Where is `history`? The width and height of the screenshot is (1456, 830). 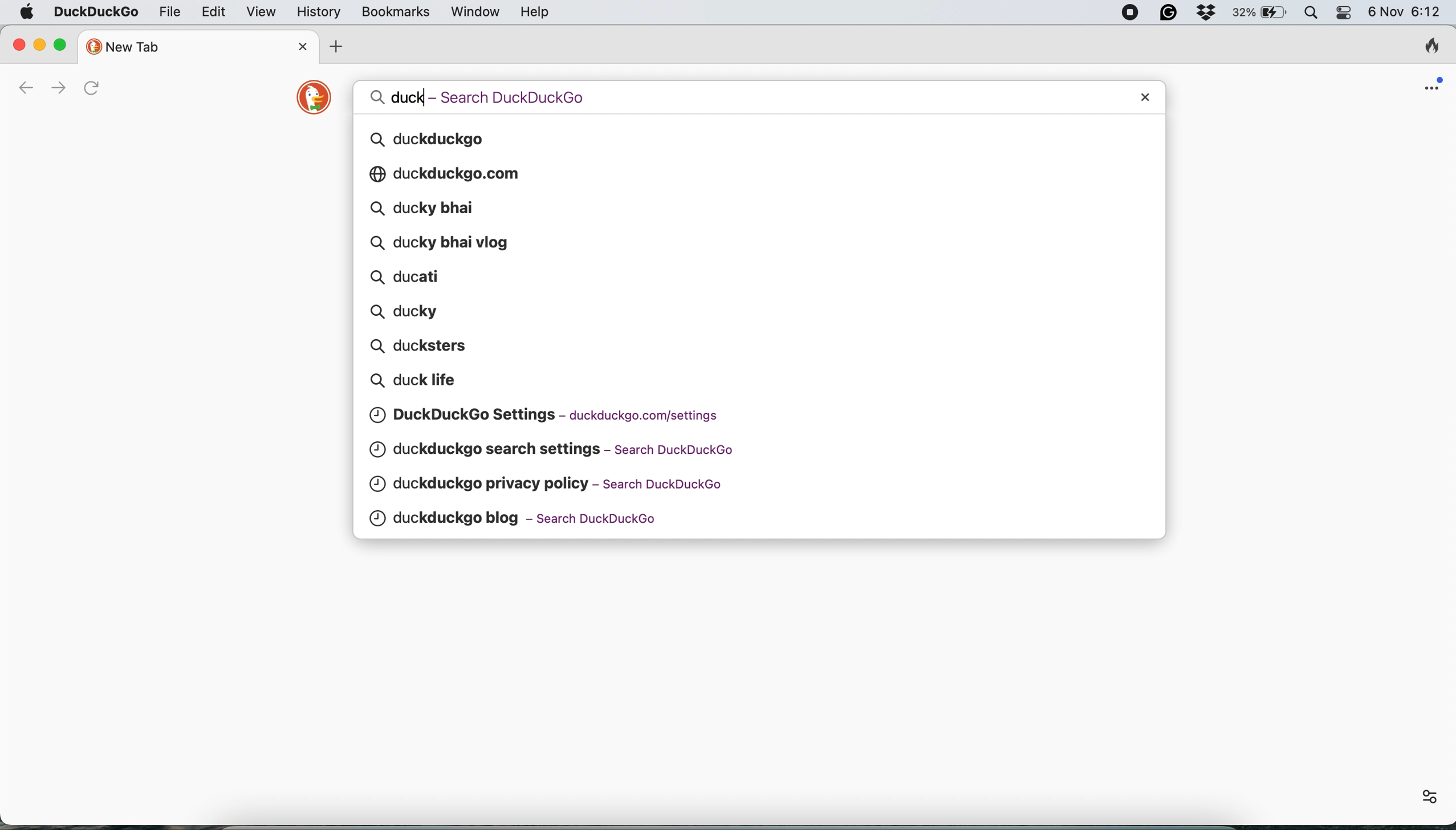
history is located at coordinates (317, 12).